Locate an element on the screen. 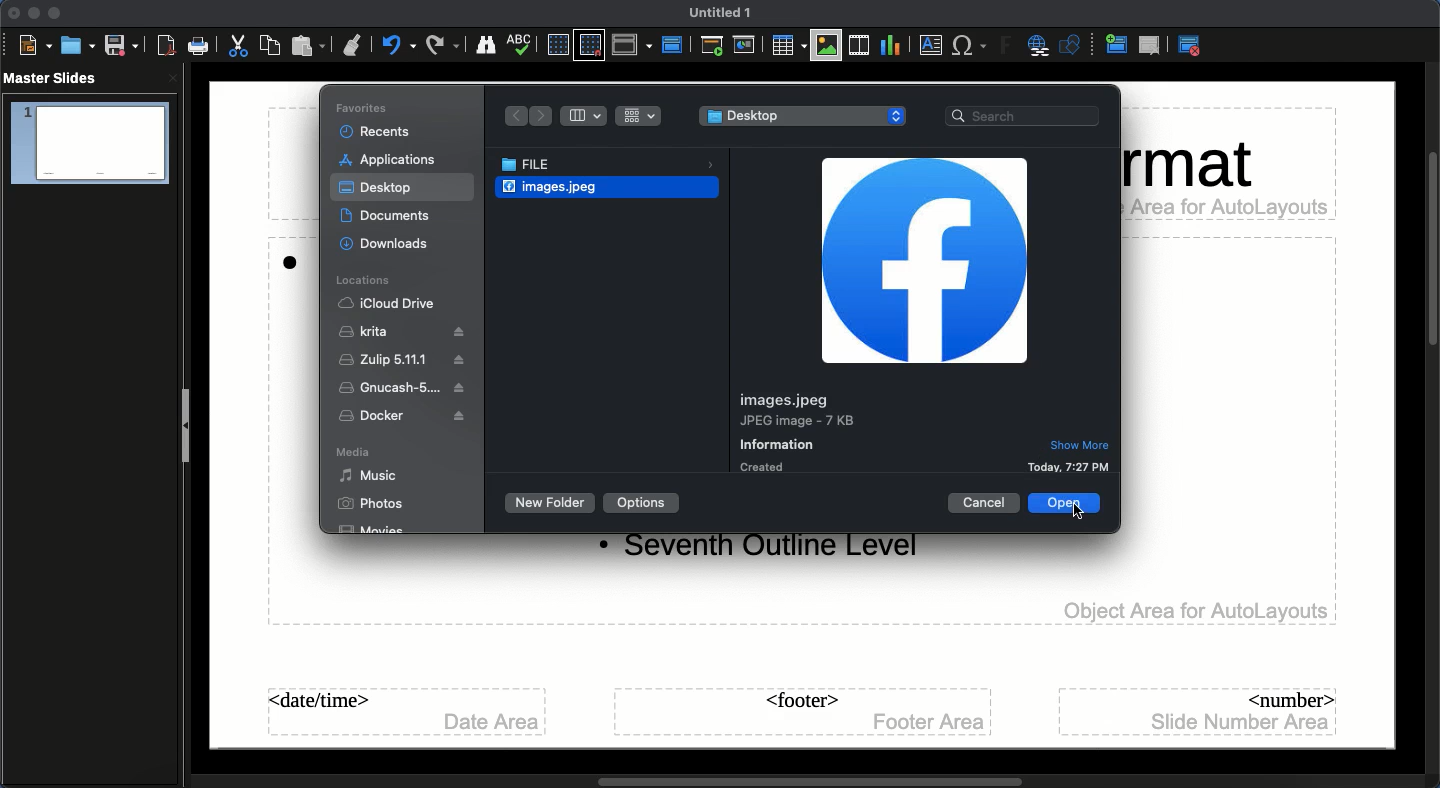  Options is located at coordinates (643, 502).